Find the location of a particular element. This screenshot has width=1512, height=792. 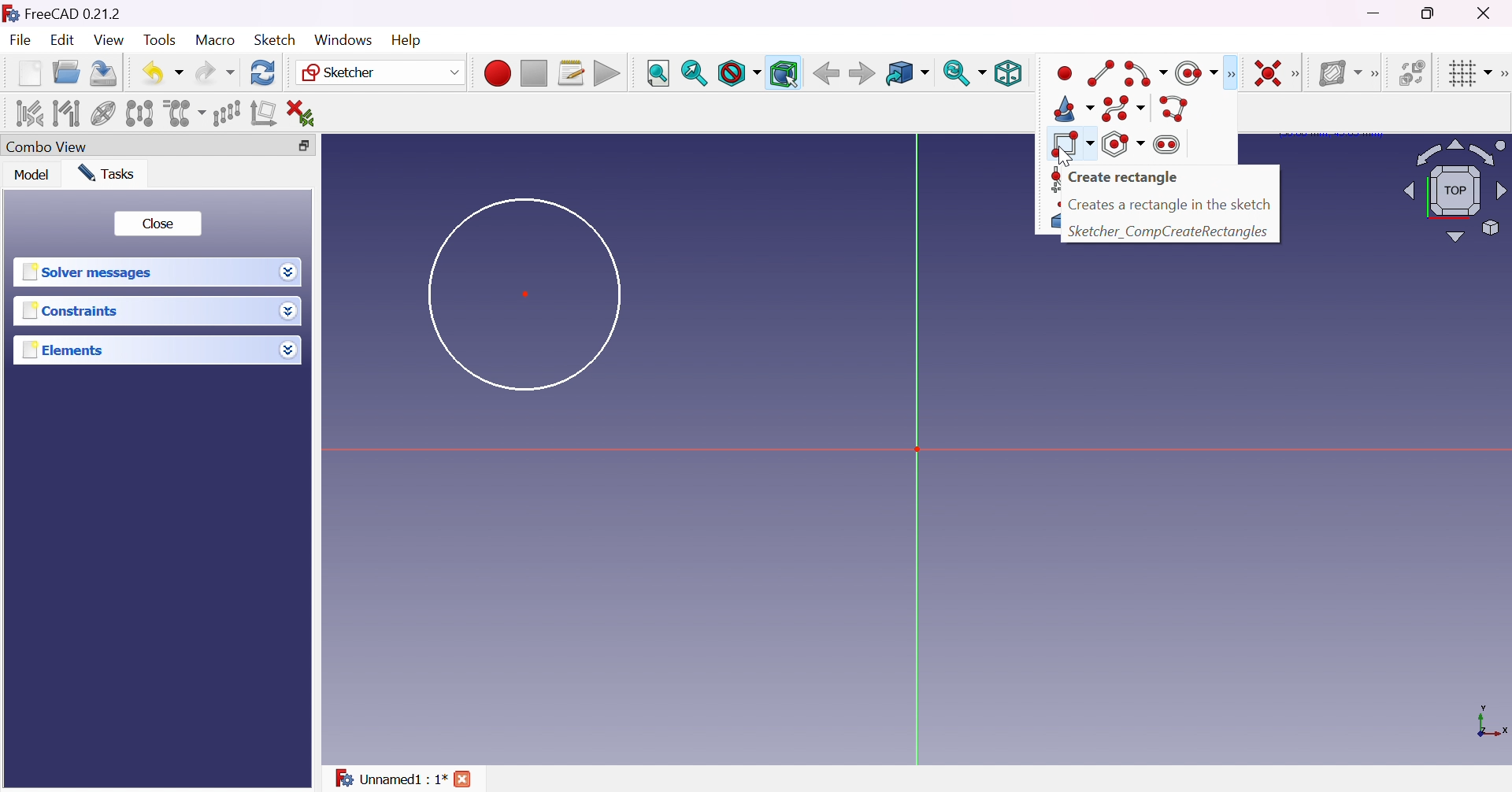

Execute macro is located at coordinates (607, 76).